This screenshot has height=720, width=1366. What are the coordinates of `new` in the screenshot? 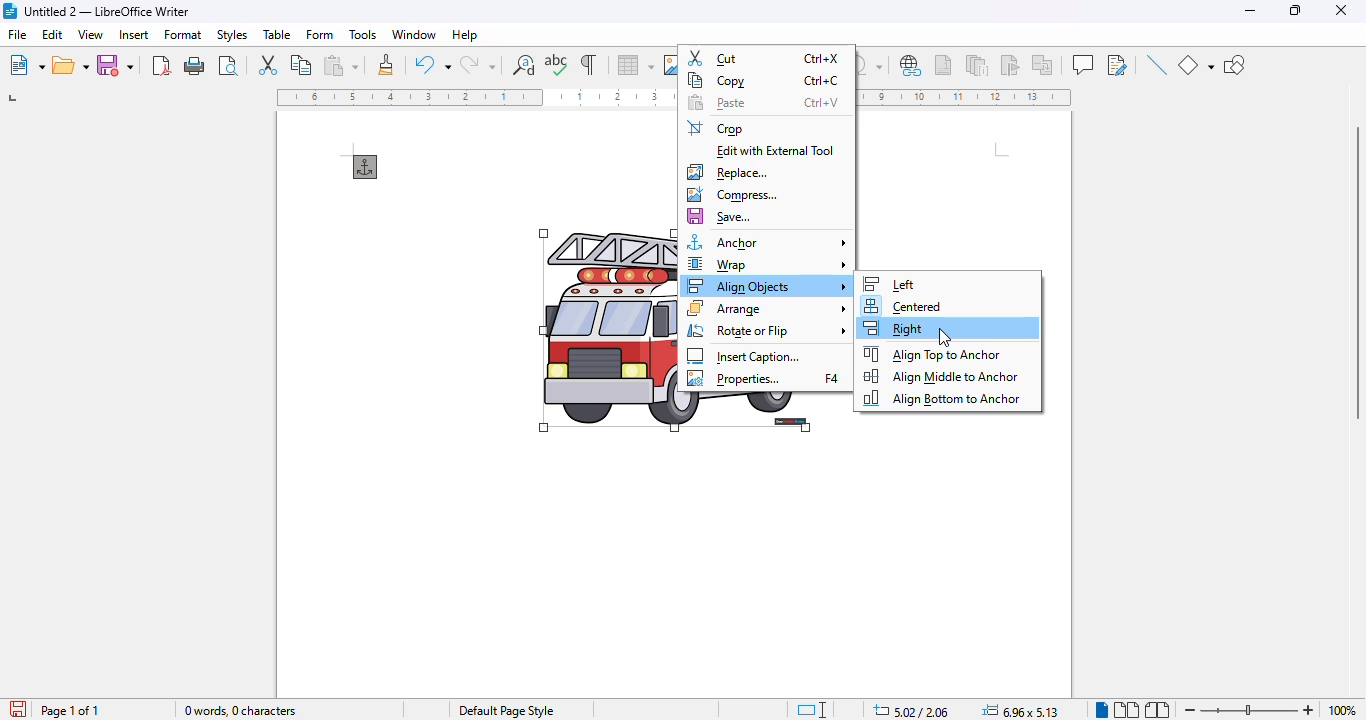 It's located at (26, 65).